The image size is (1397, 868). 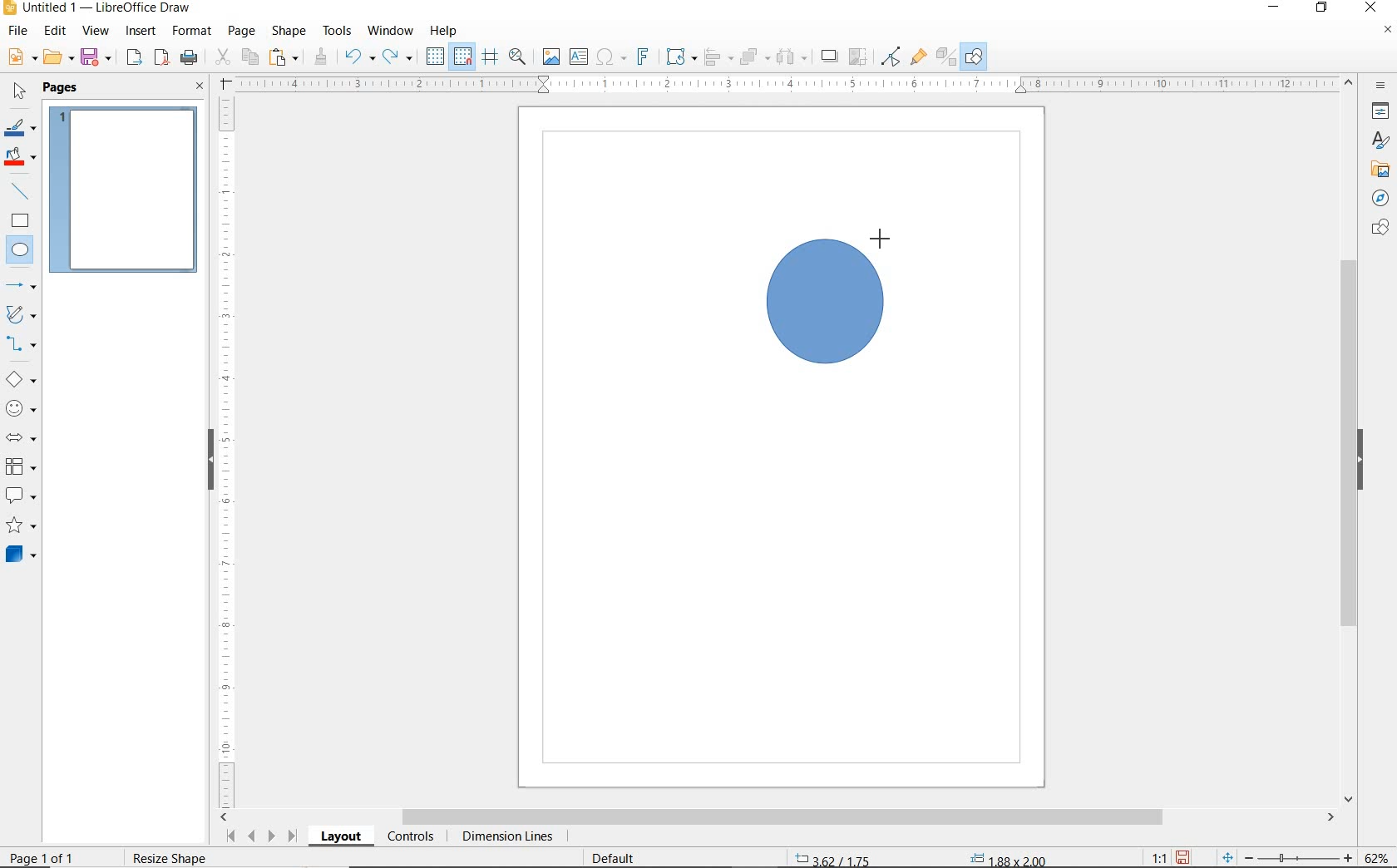 I want to click on CLOSE, so click(x=200, y=87).